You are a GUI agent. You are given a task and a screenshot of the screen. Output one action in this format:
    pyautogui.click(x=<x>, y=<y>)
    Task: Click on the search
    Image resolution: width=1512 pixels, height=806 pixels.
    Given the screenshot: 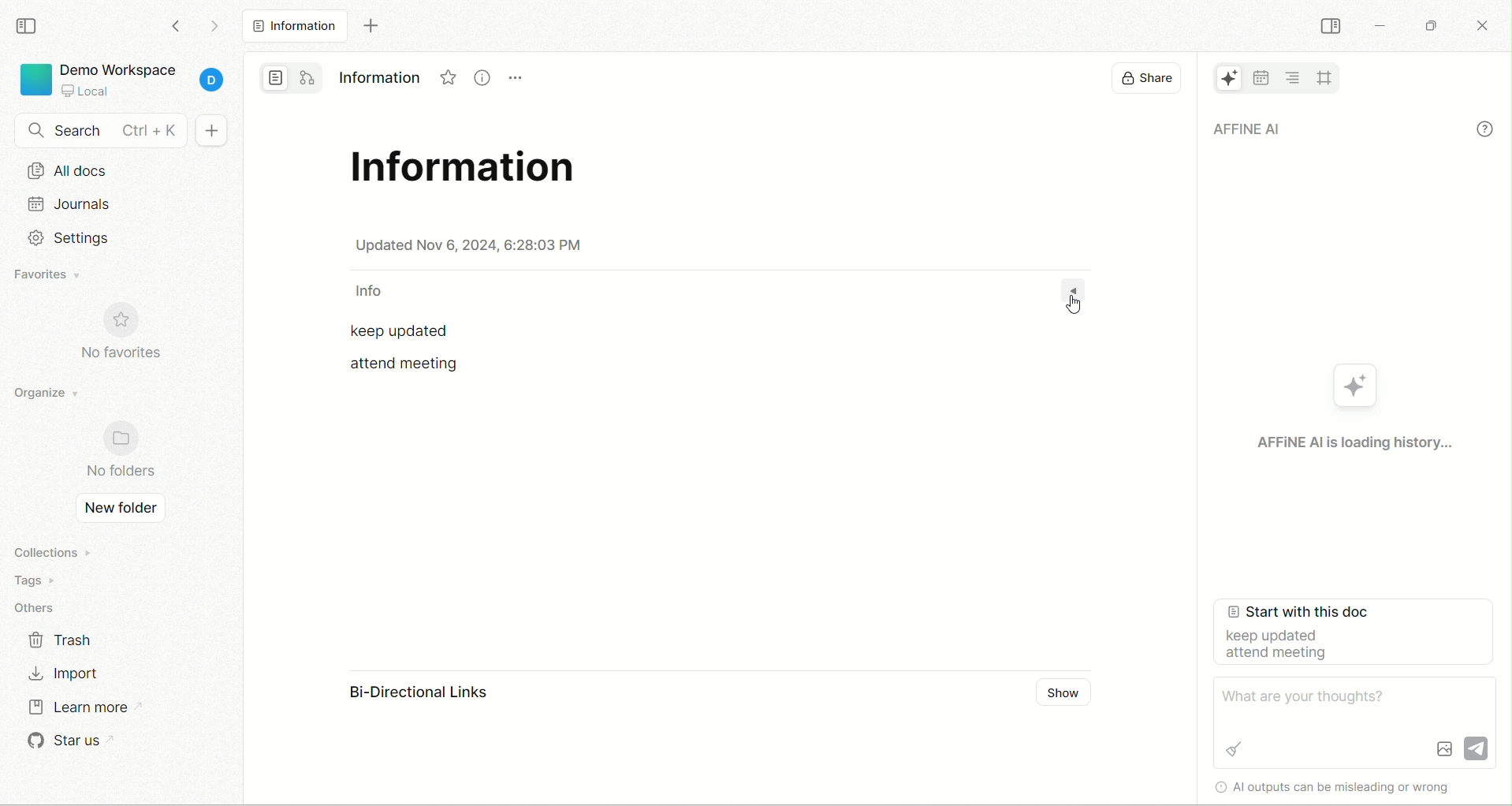 What is the action you would take?
    pyautogui.click(x=95, y=131)
    